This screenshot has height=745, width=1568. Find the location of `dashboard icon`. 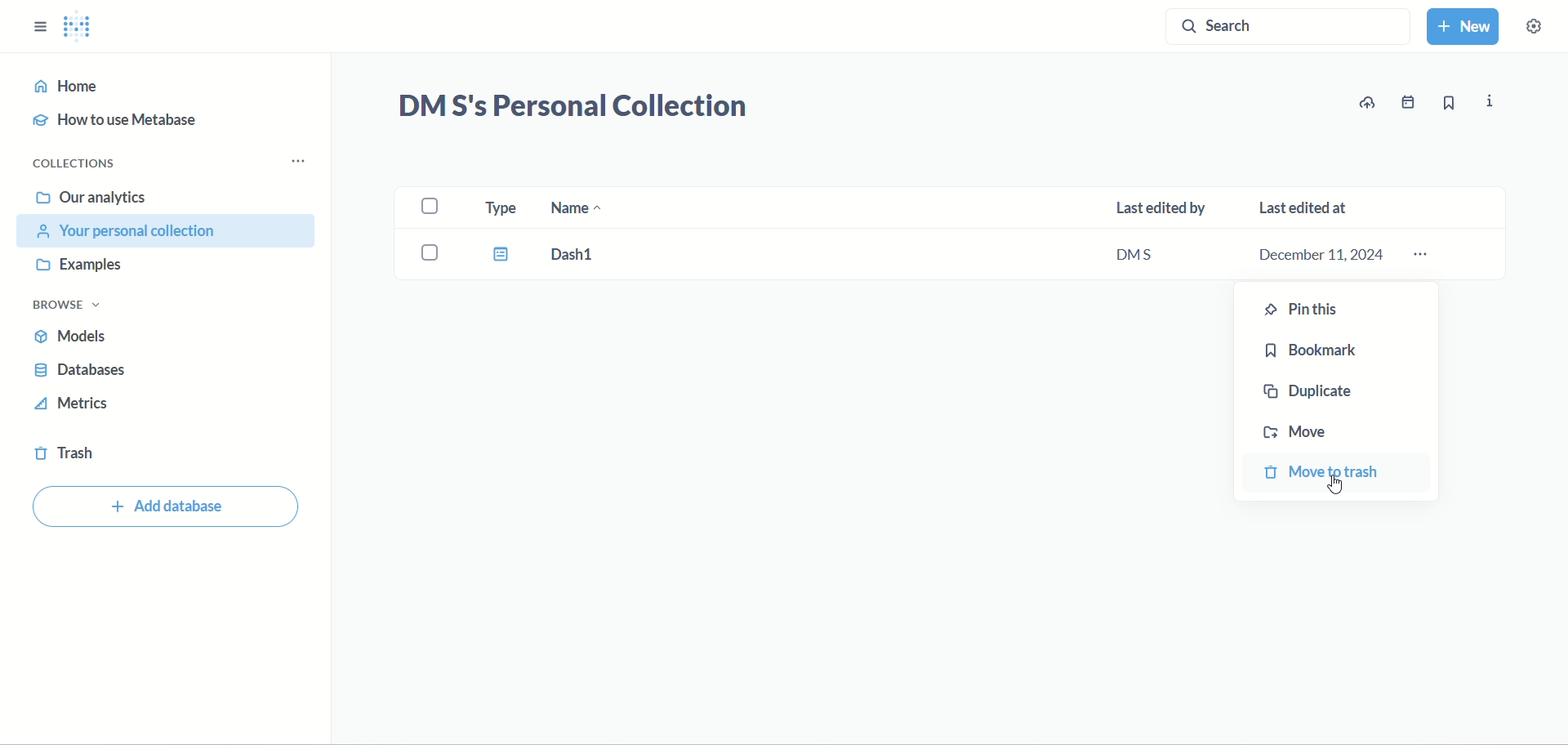

dashboard icon is located at coordinates (498, 254).